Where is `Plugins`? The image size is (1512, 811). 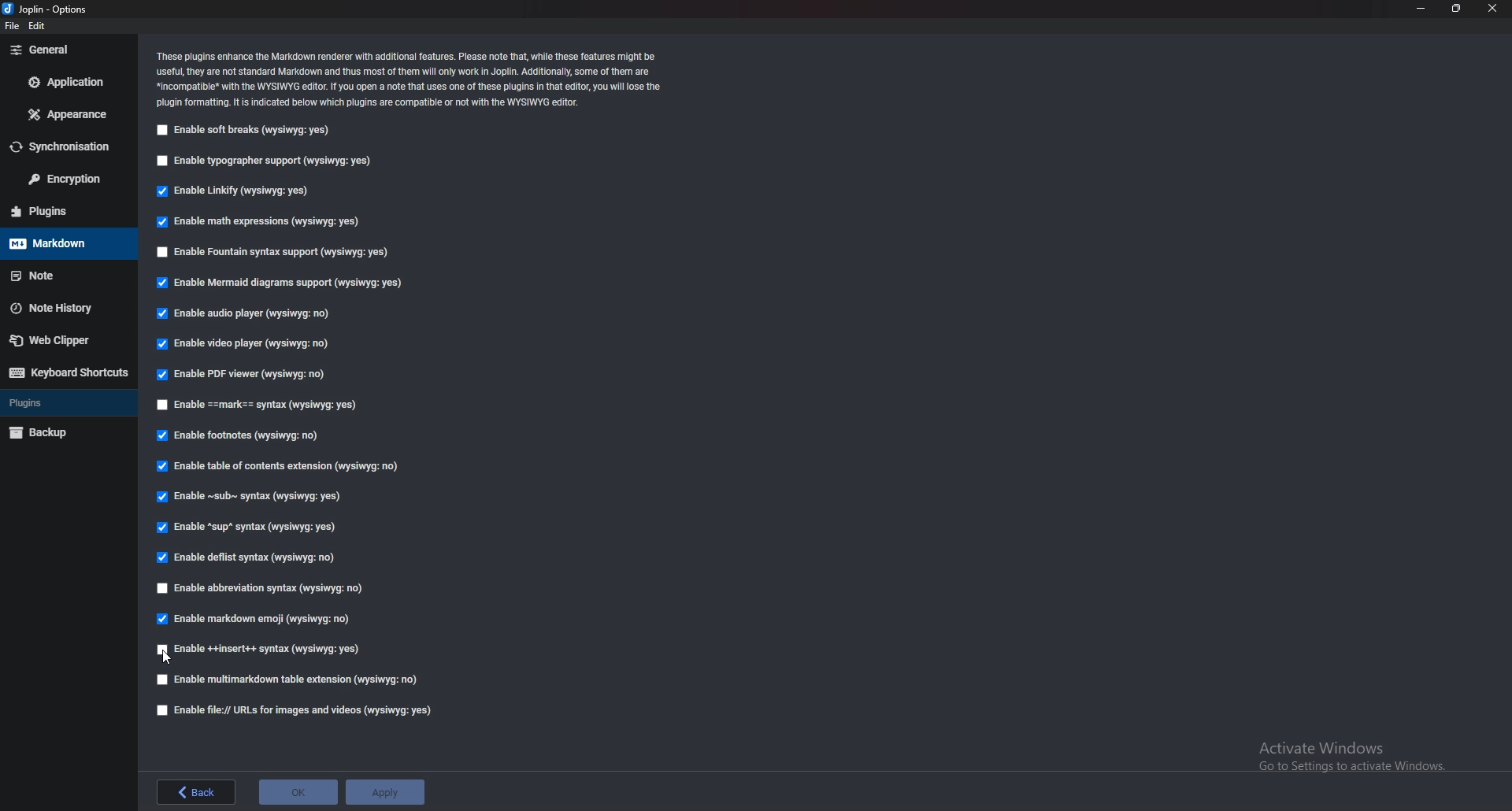 Plugins is located at coordinates (59, 211).